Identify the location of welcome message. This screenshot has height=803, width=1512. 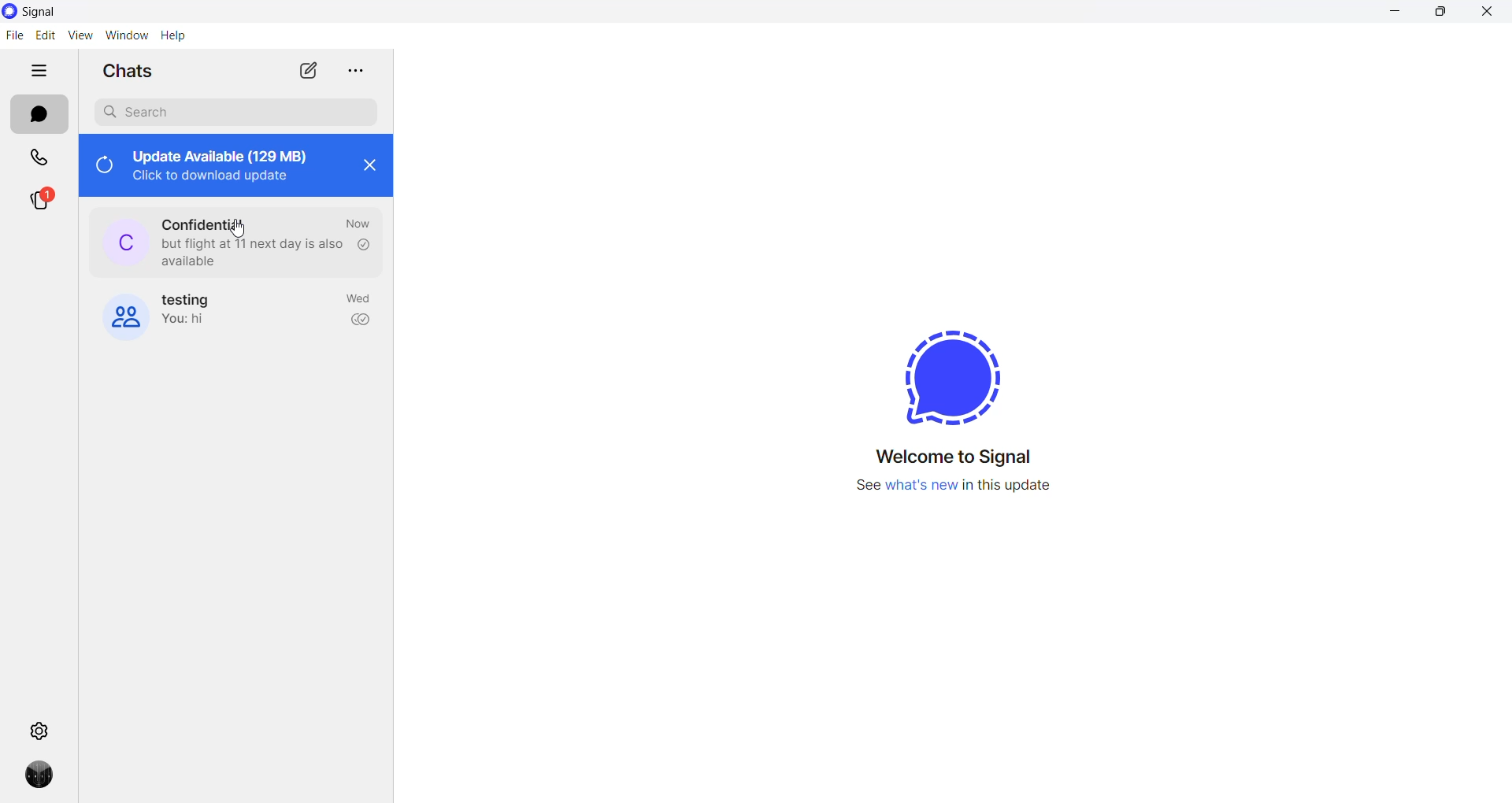
(955, 457).